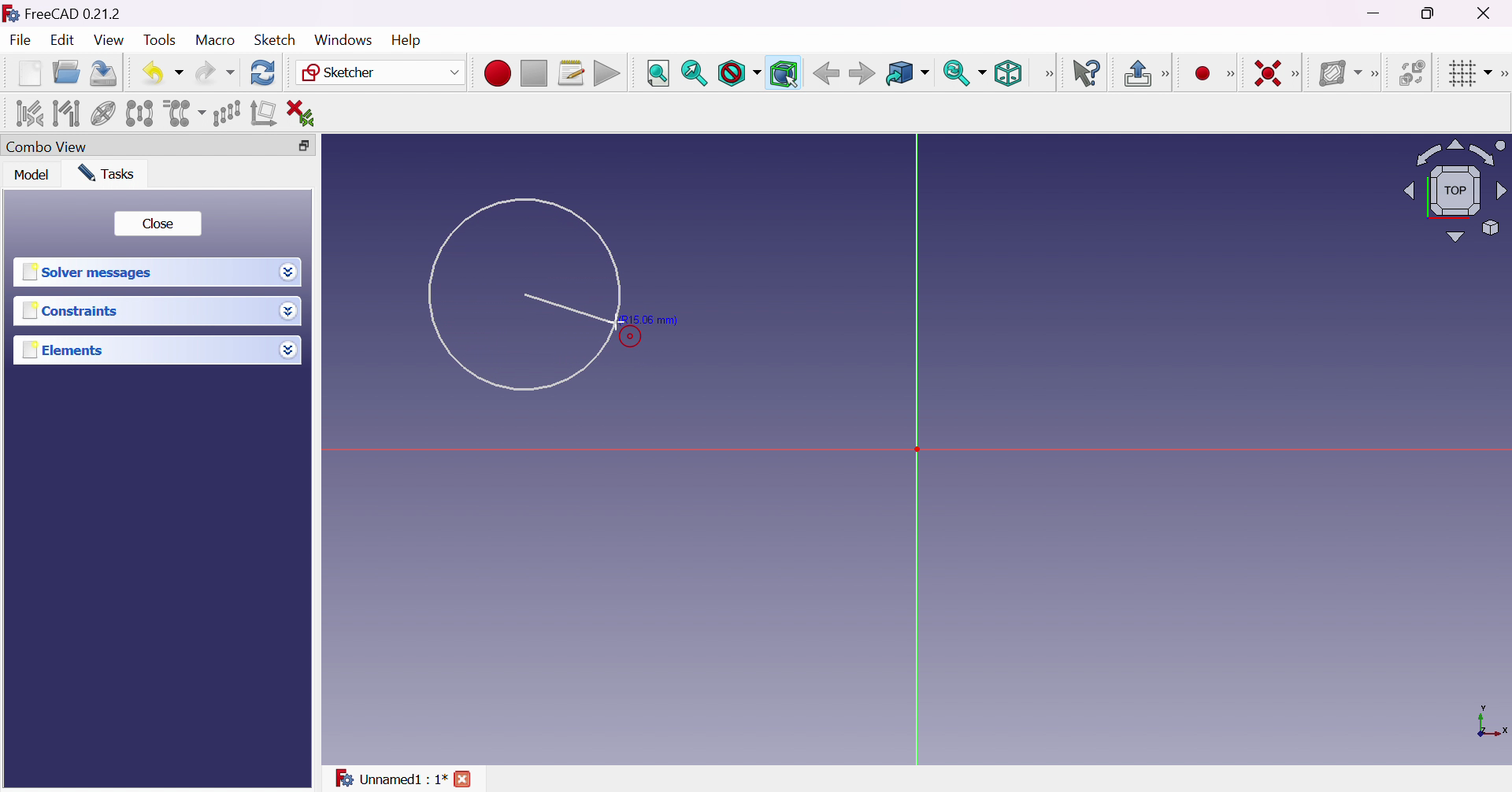  Describe the element at coordinates (216, 39) in the screenshot. I see `Macro` at that location.